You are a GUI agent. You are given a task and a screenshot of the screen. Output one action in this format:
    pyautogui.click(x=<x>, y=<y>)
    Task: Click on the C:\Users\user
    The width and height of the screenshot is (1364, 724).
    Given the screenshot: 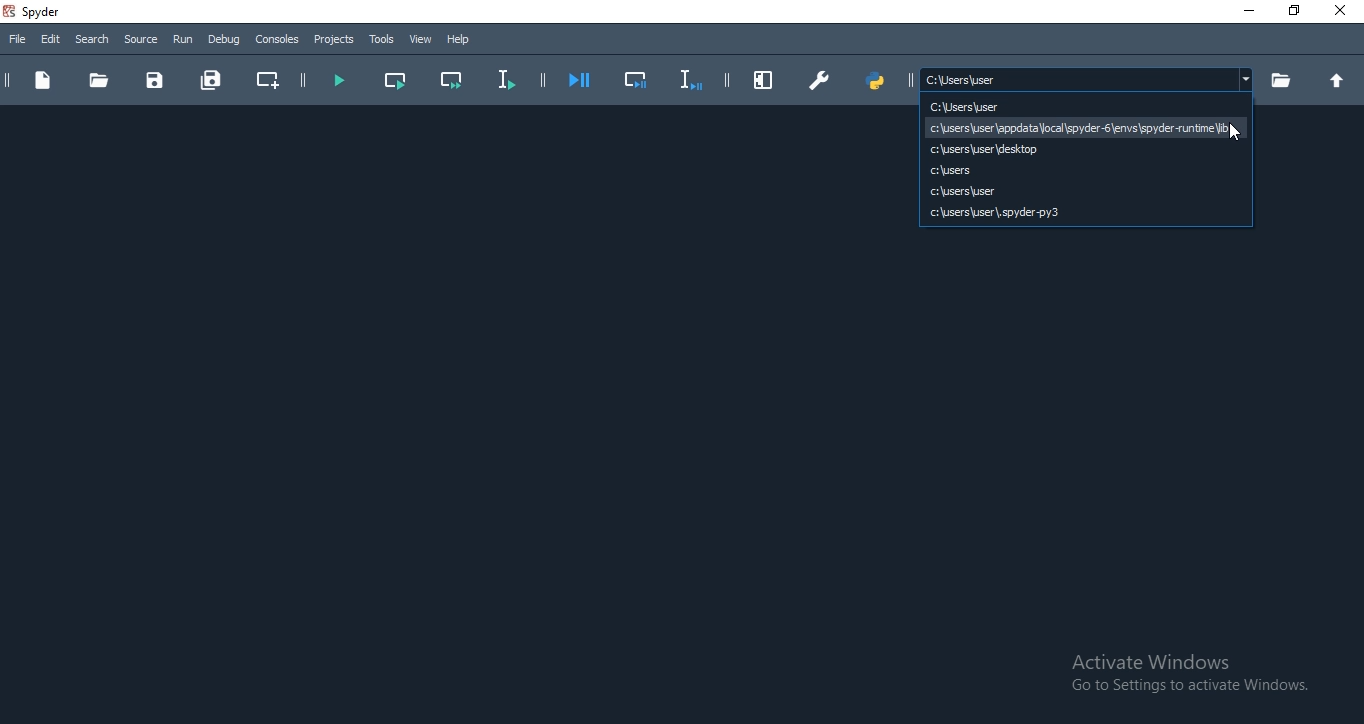 What is the action you would take?
    pyautogui.click(x=925, y=106)
    